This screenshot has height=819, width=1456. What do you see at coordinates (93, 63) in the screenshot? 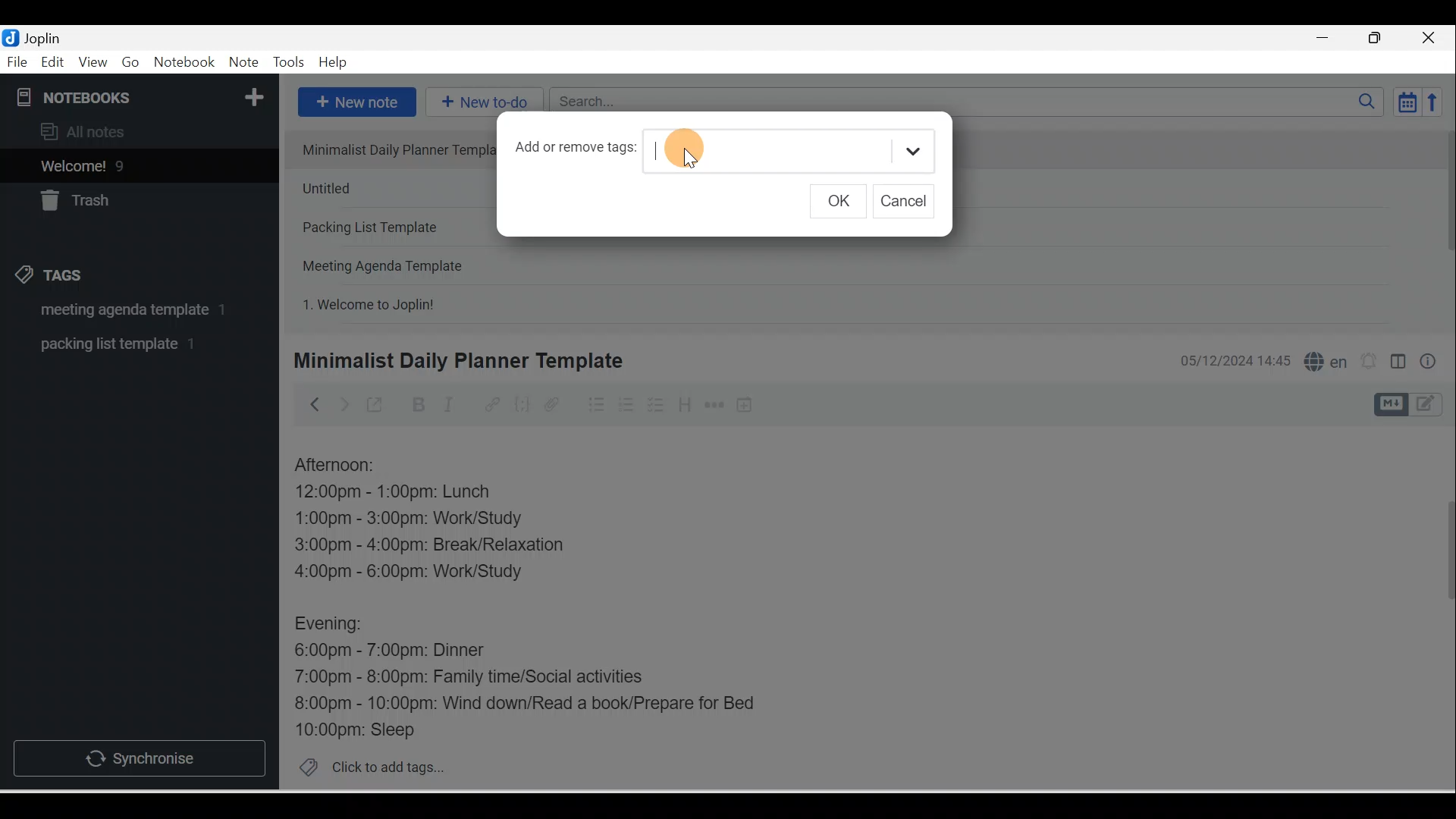
I see `View` at bounding box center [93, 63].